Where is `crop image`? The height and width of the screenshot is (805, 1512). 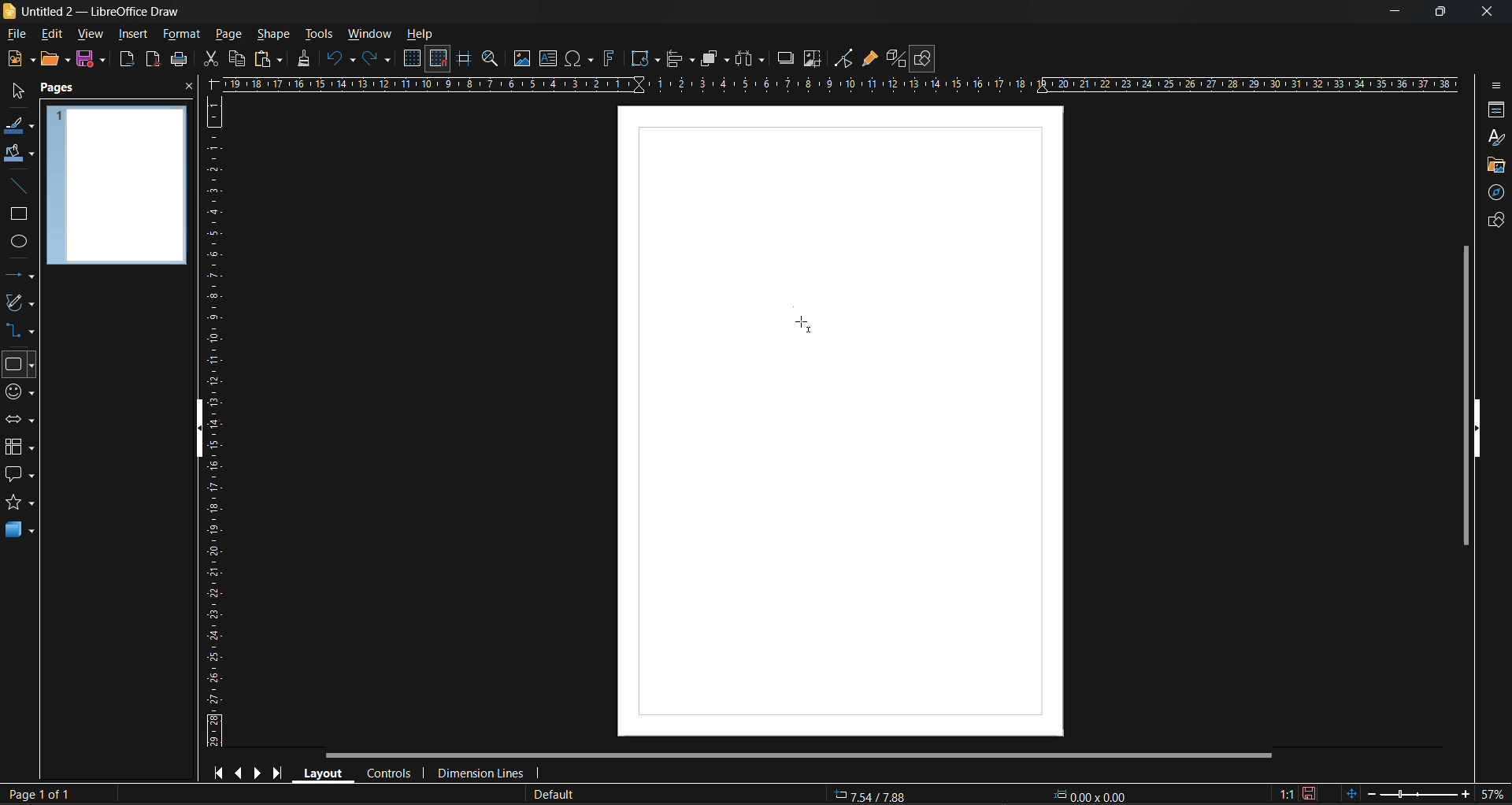 crop image is located at coordinates (813, 59).